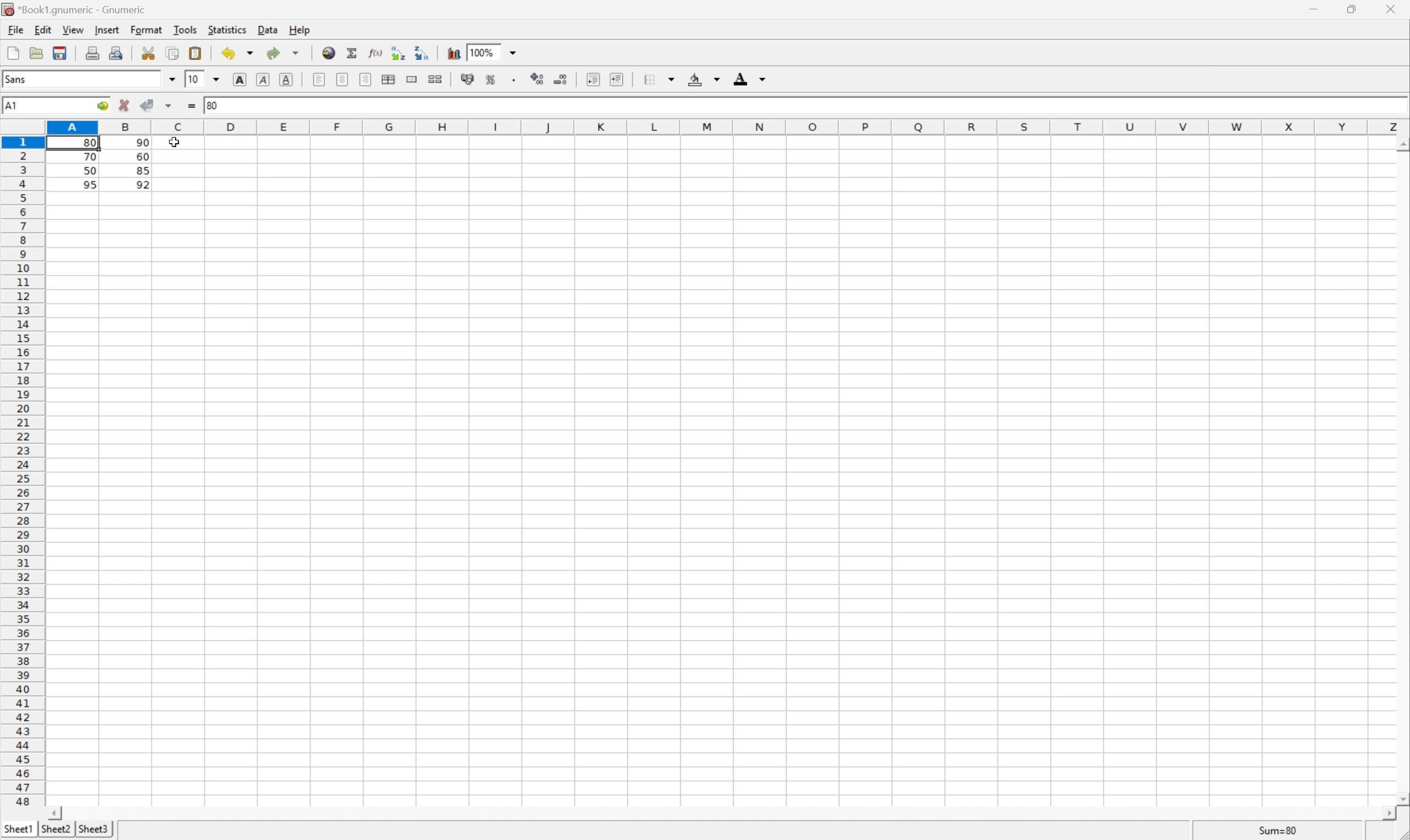 The width and height of the screenshot is (1410, 840). I want to click on Drop Down, so click(296, 50).